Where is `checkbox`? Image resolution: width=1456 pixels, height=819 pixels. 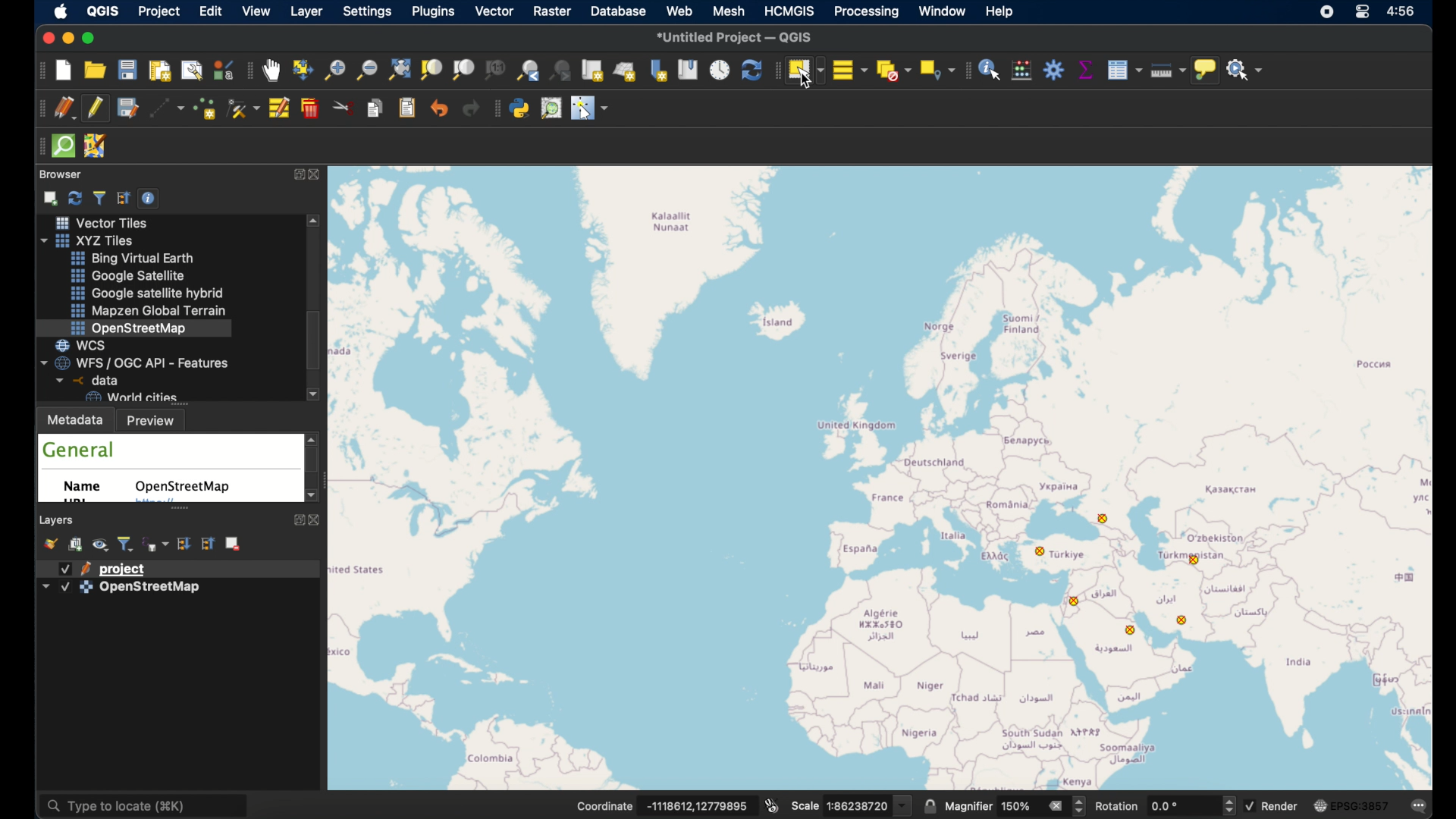 checkbox is located at coordinates (65, 588).